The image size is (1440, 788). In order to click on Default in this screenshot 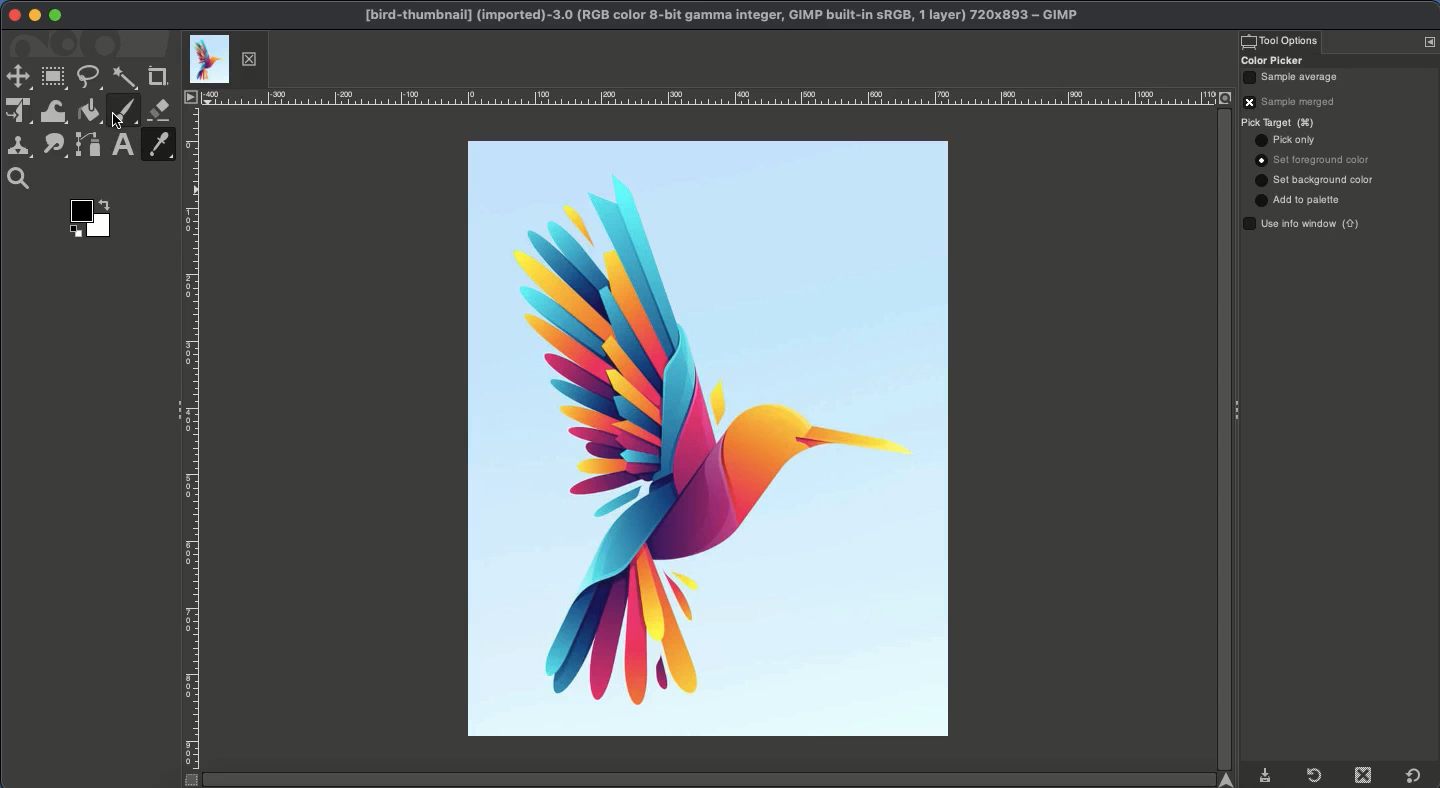, I will do `click(1414, 776)`.